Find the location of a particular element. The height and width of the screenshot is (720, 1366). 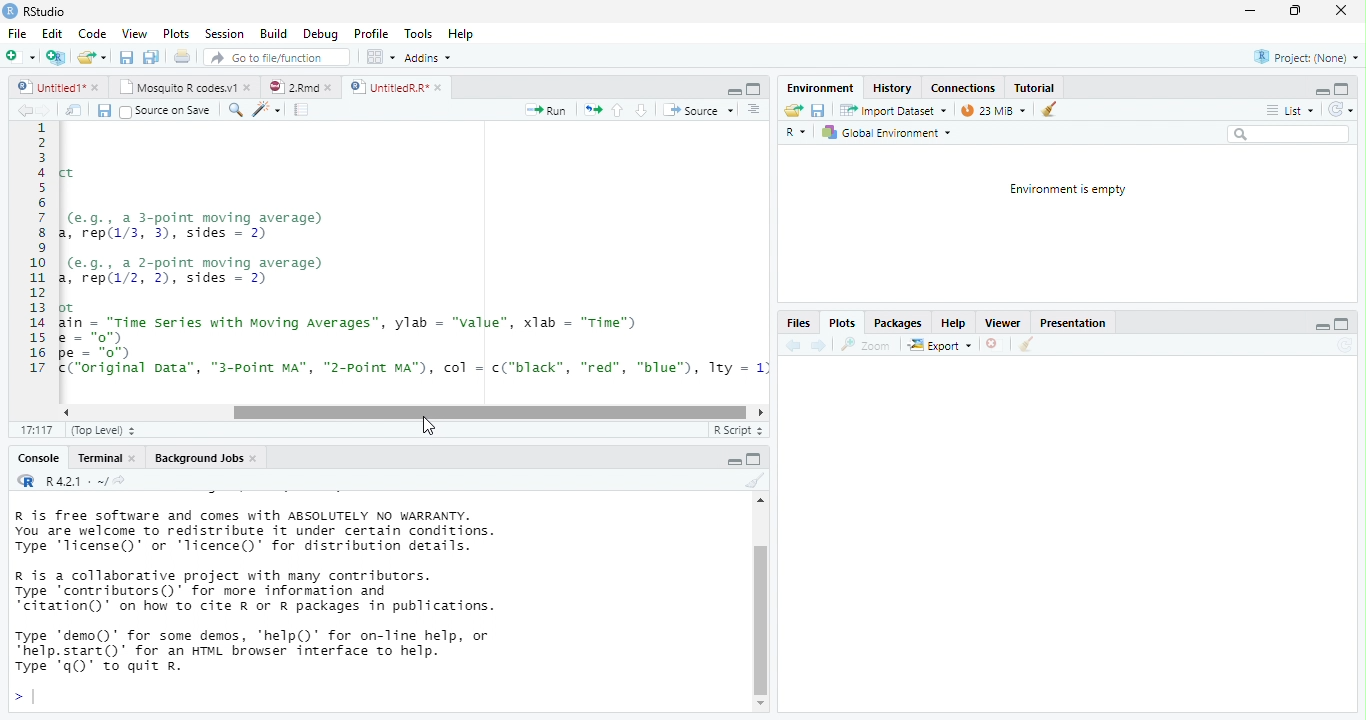

clear is located at coordinates (1049, 108).